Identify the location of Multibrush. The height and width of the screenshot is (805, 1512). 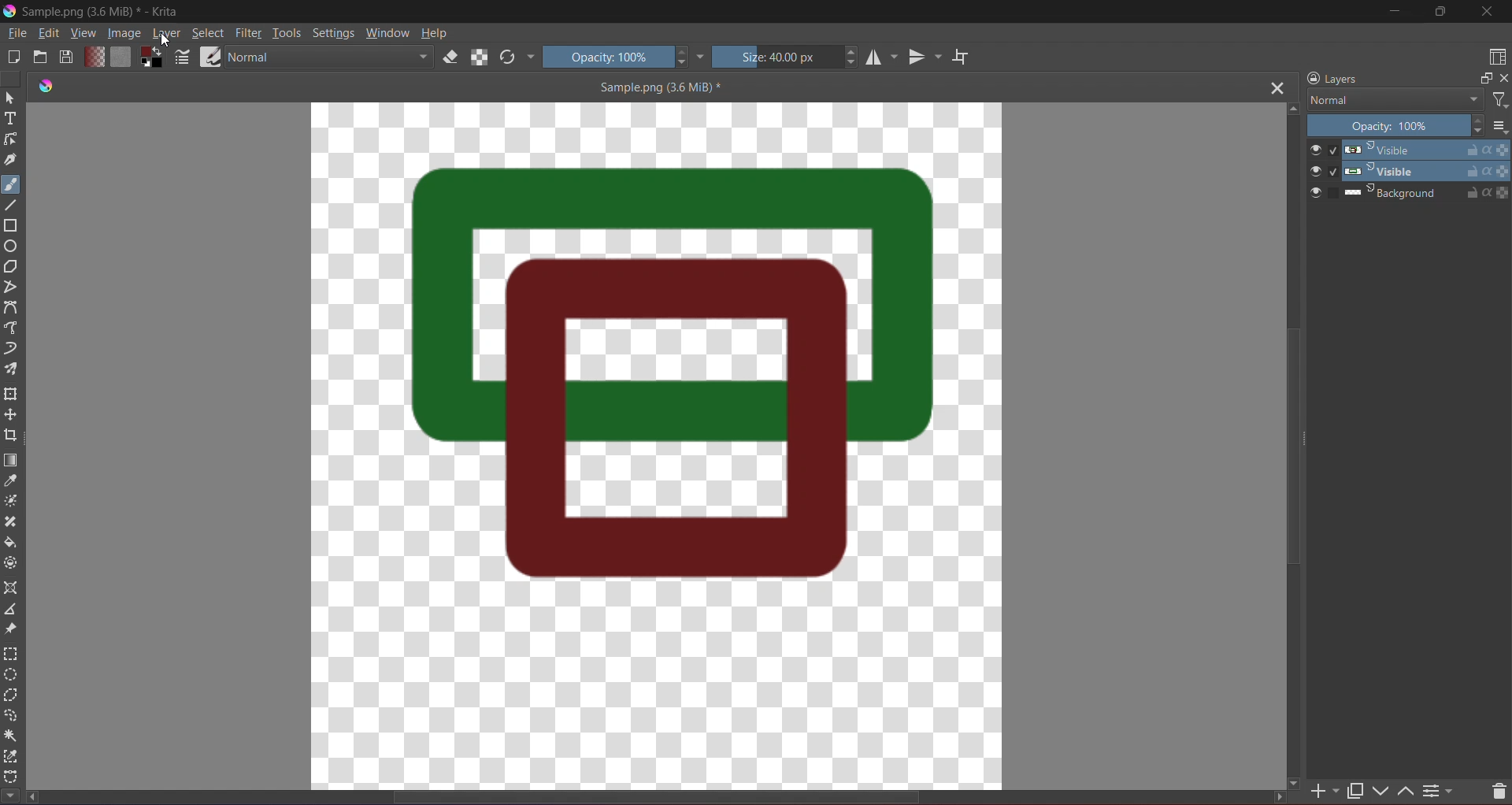
(13, 369).